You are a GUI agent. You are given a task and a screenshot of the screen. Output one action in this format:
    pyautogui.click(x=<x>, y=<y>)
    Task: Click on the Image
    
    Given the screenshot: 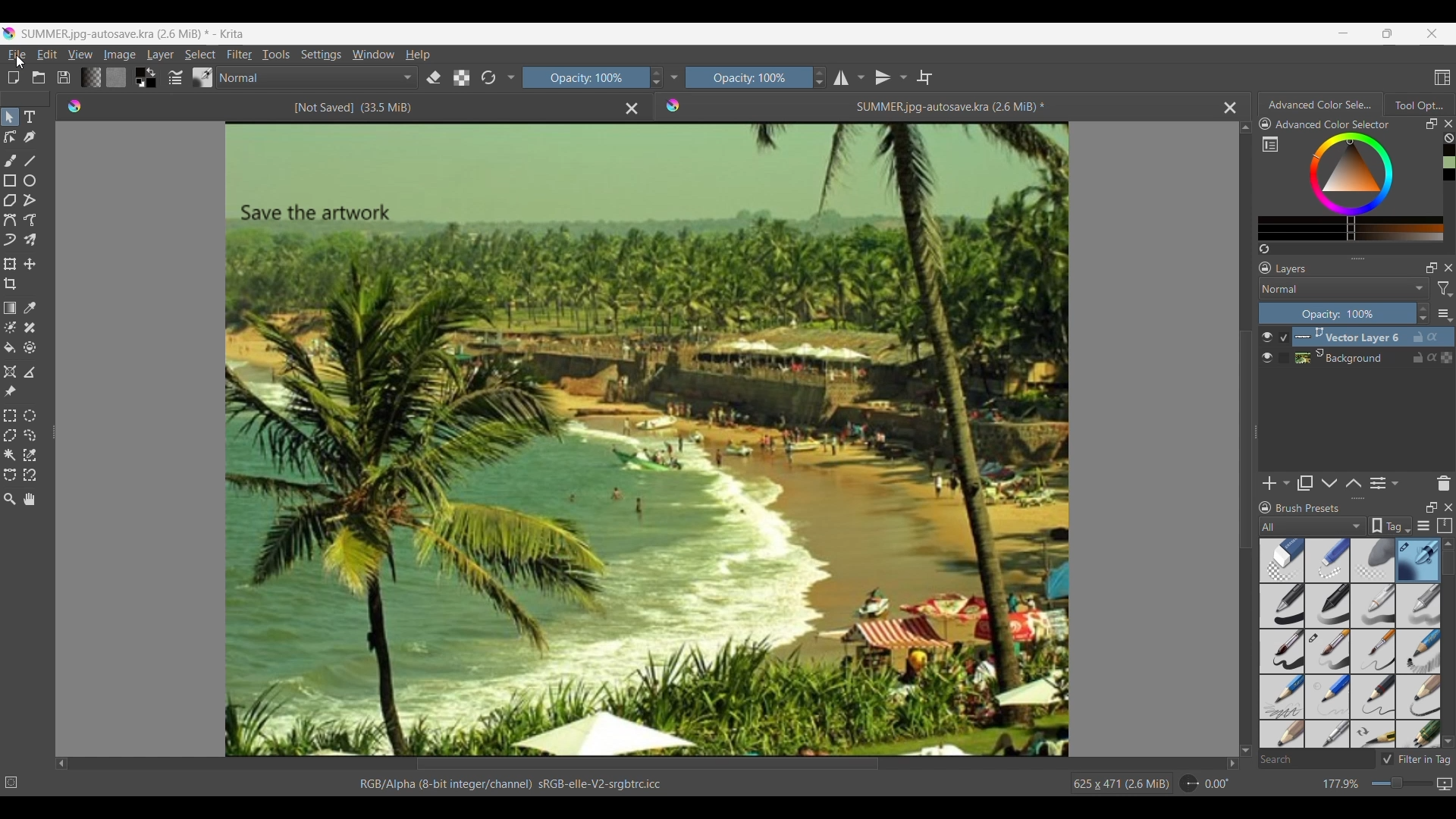 What is the action you would take?
    pyautogui.click(x=120, y=55)
    